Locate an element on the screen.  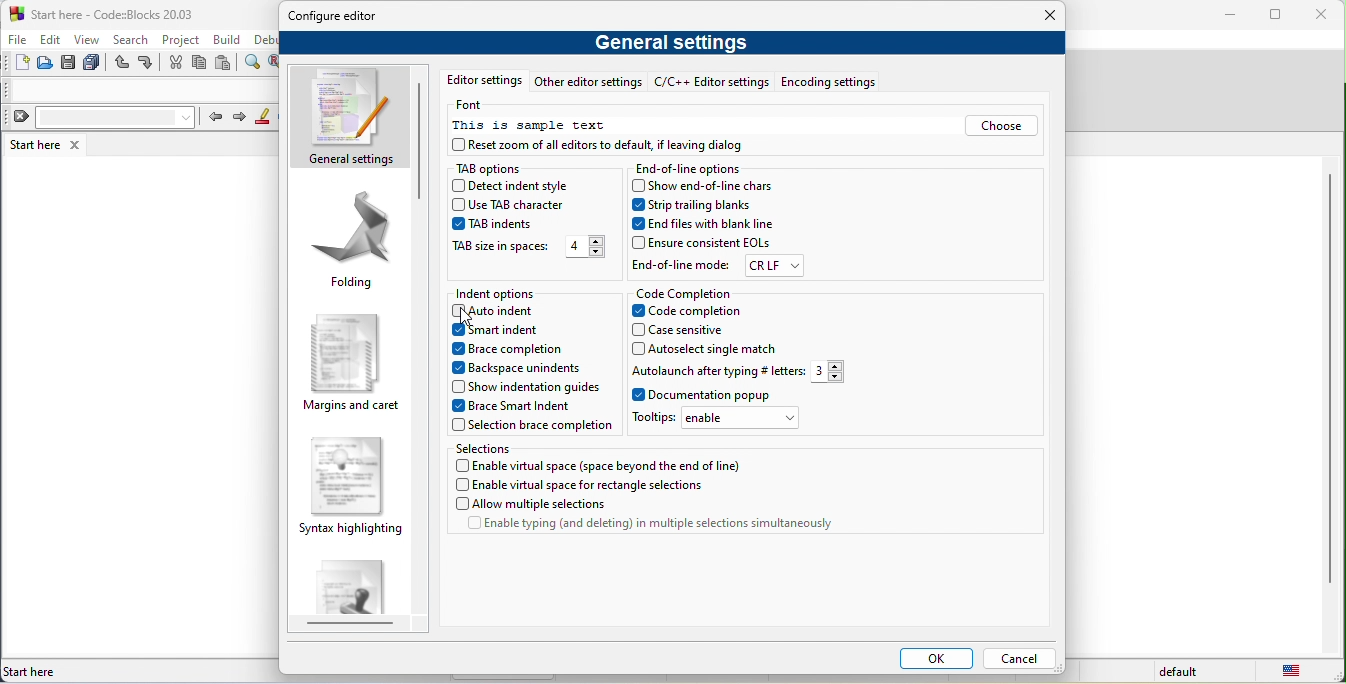
file is located at coordinates (19, 41).